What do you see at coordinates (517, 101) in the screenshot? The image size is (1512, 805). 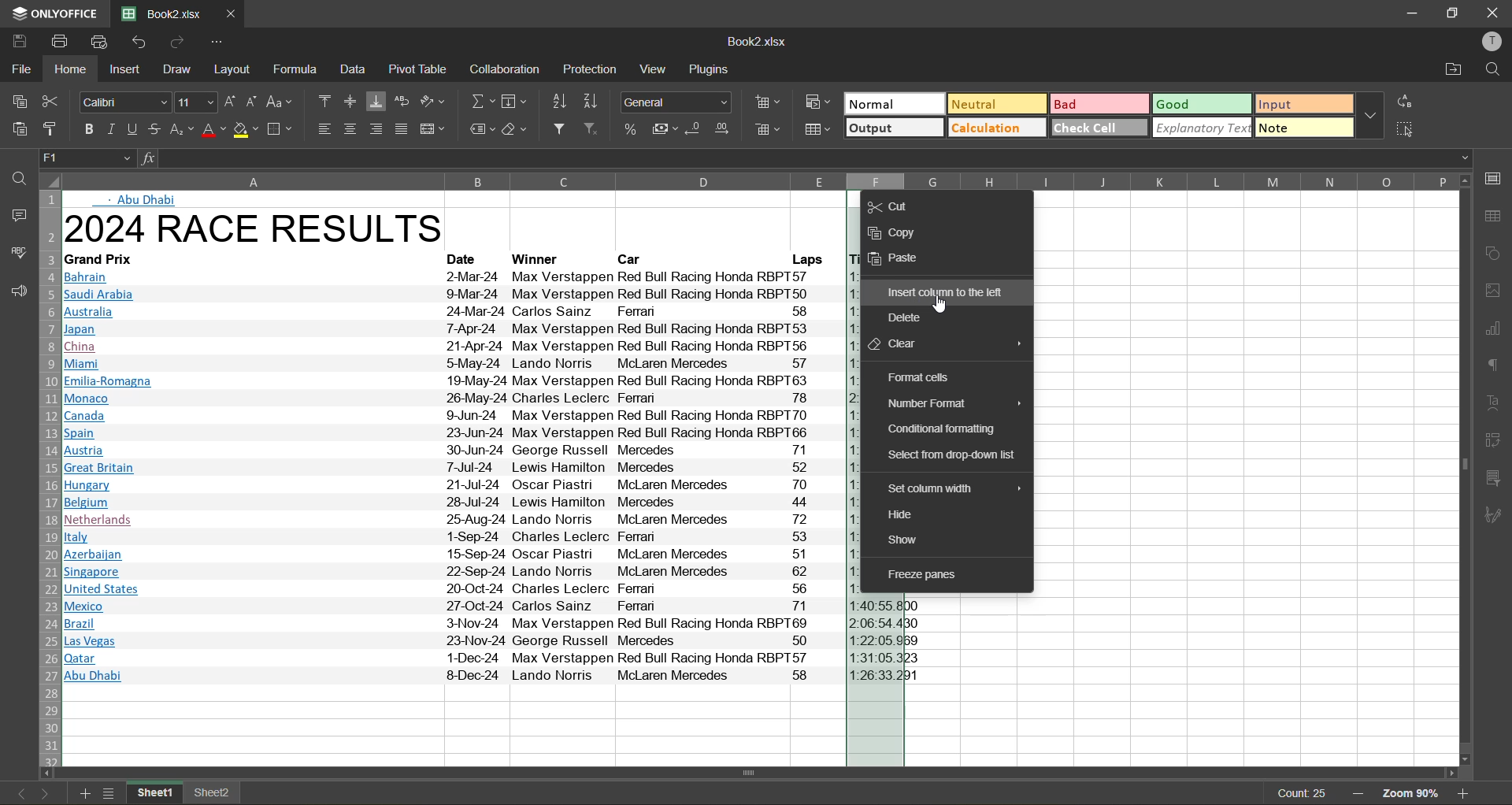 I see `fields` at bounding box center [517, 101].